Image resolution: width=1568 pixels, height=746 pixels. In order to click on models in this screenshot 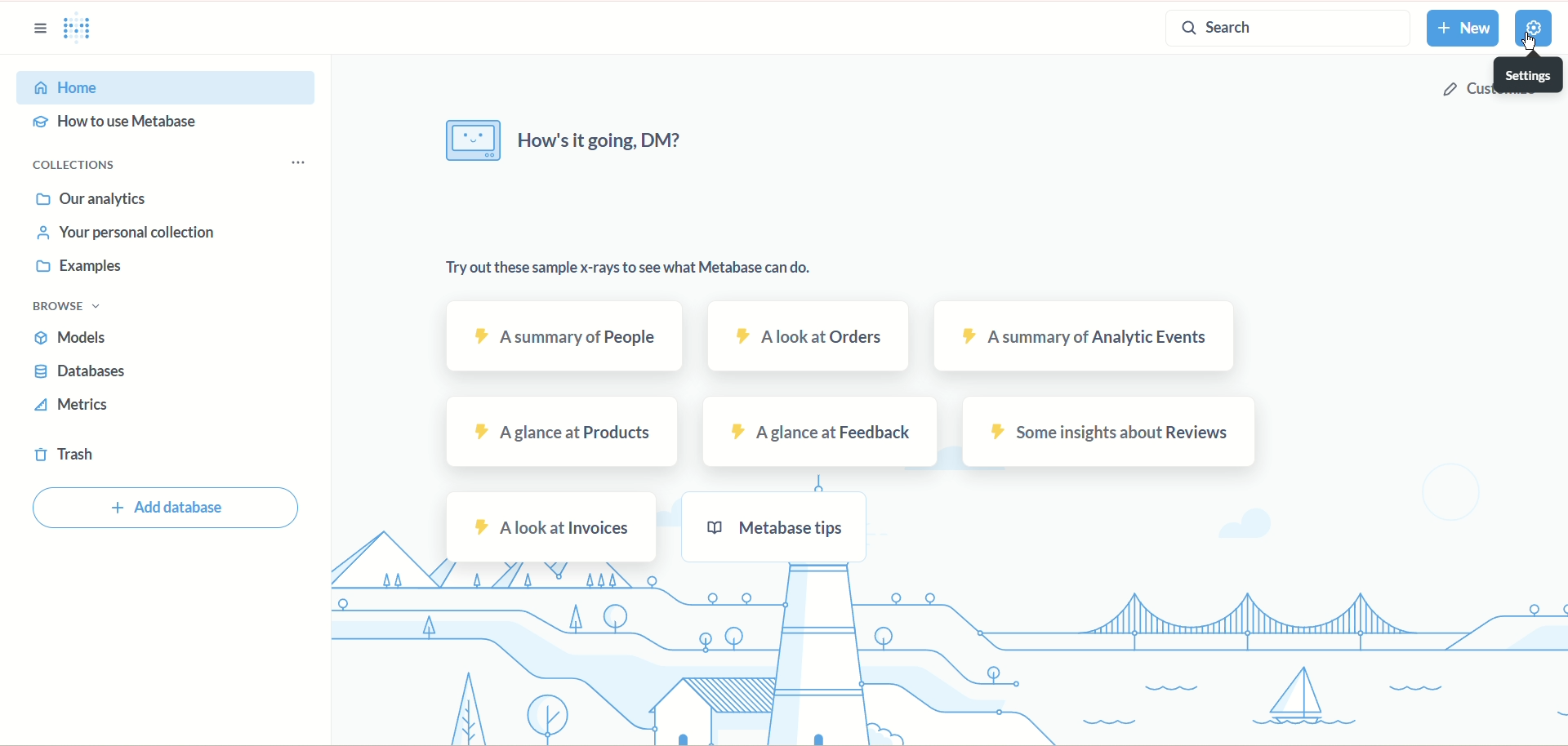, I will do `click(73, 337)`.